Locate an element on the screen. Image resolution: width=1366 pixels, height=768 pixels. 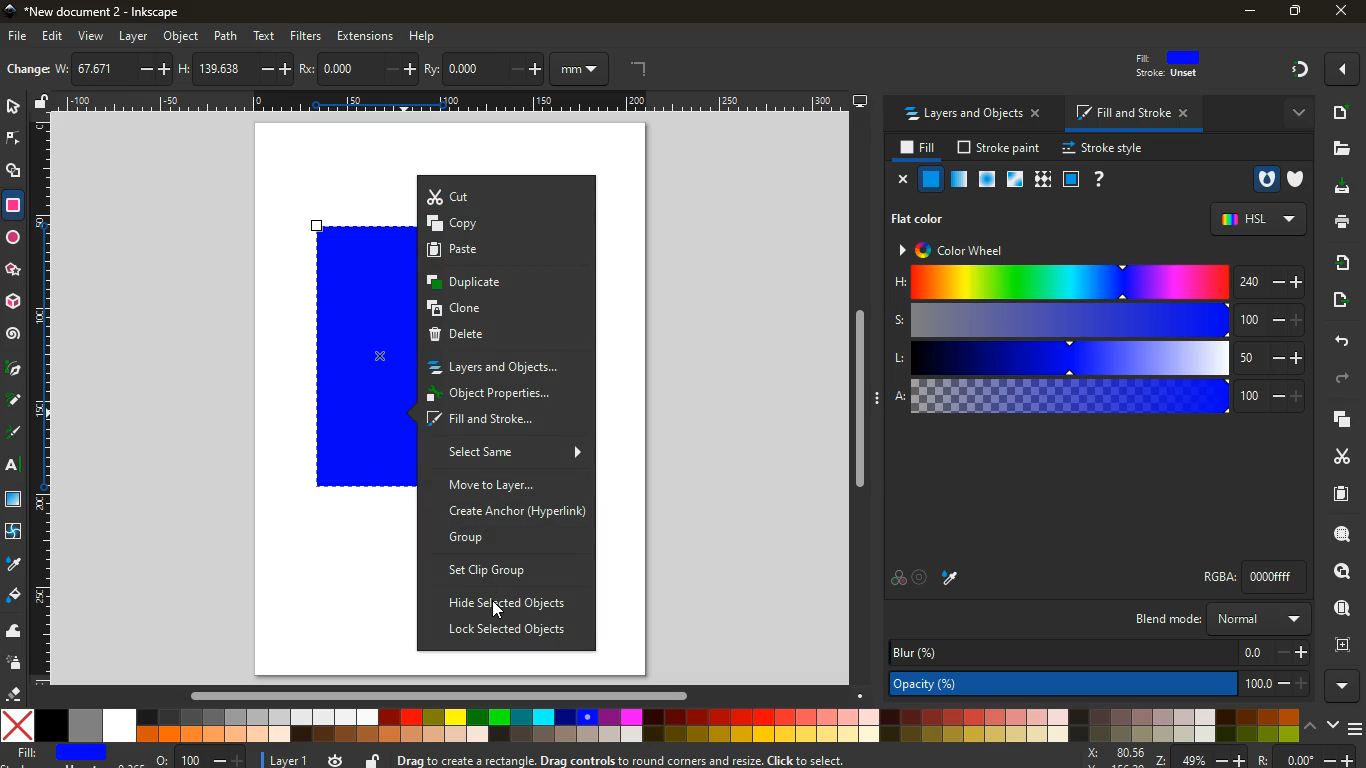
drop is located at coordinates (15, 563).